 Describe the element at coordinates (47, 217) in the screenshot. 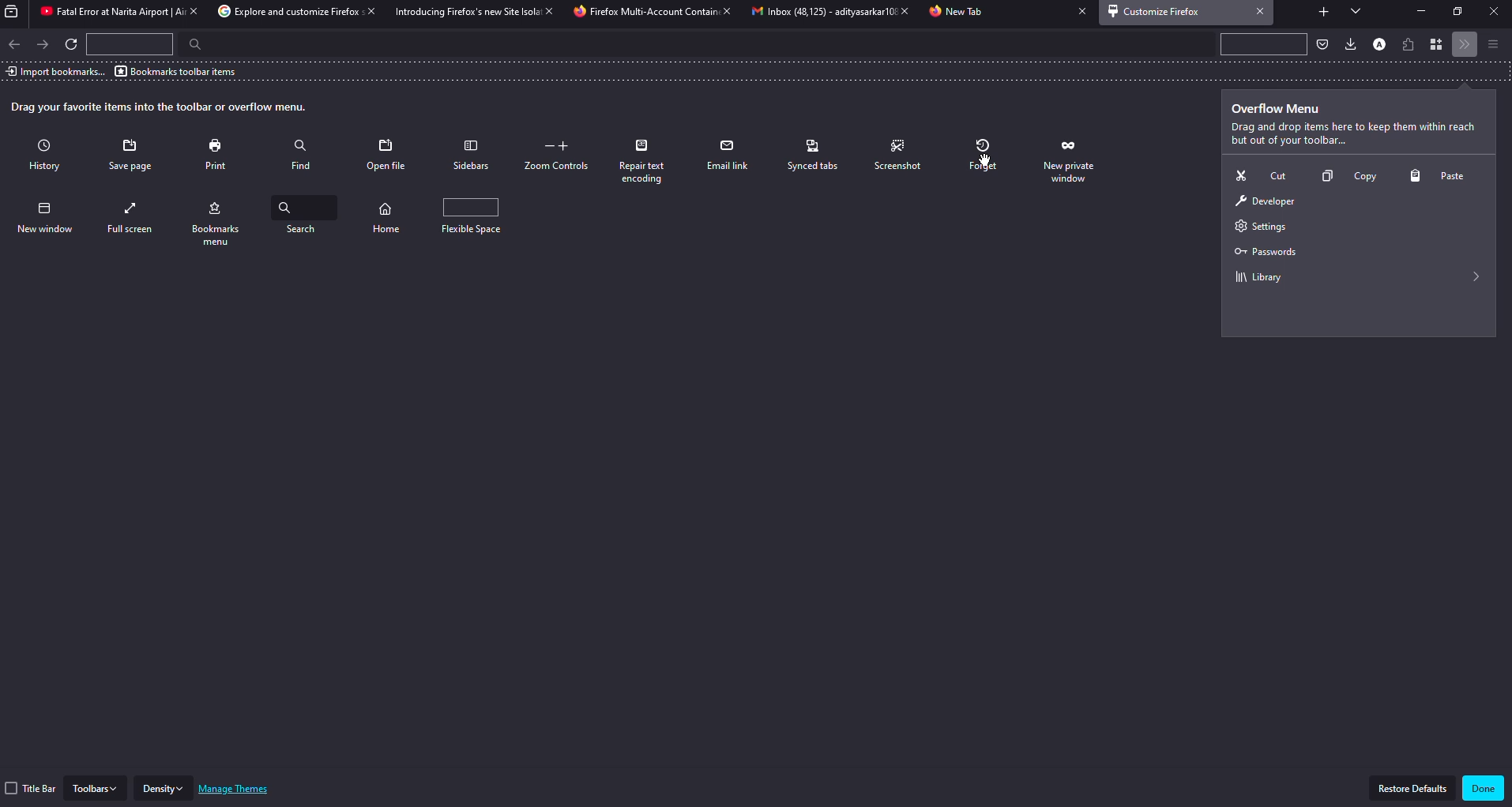

I see `new window` at that location.